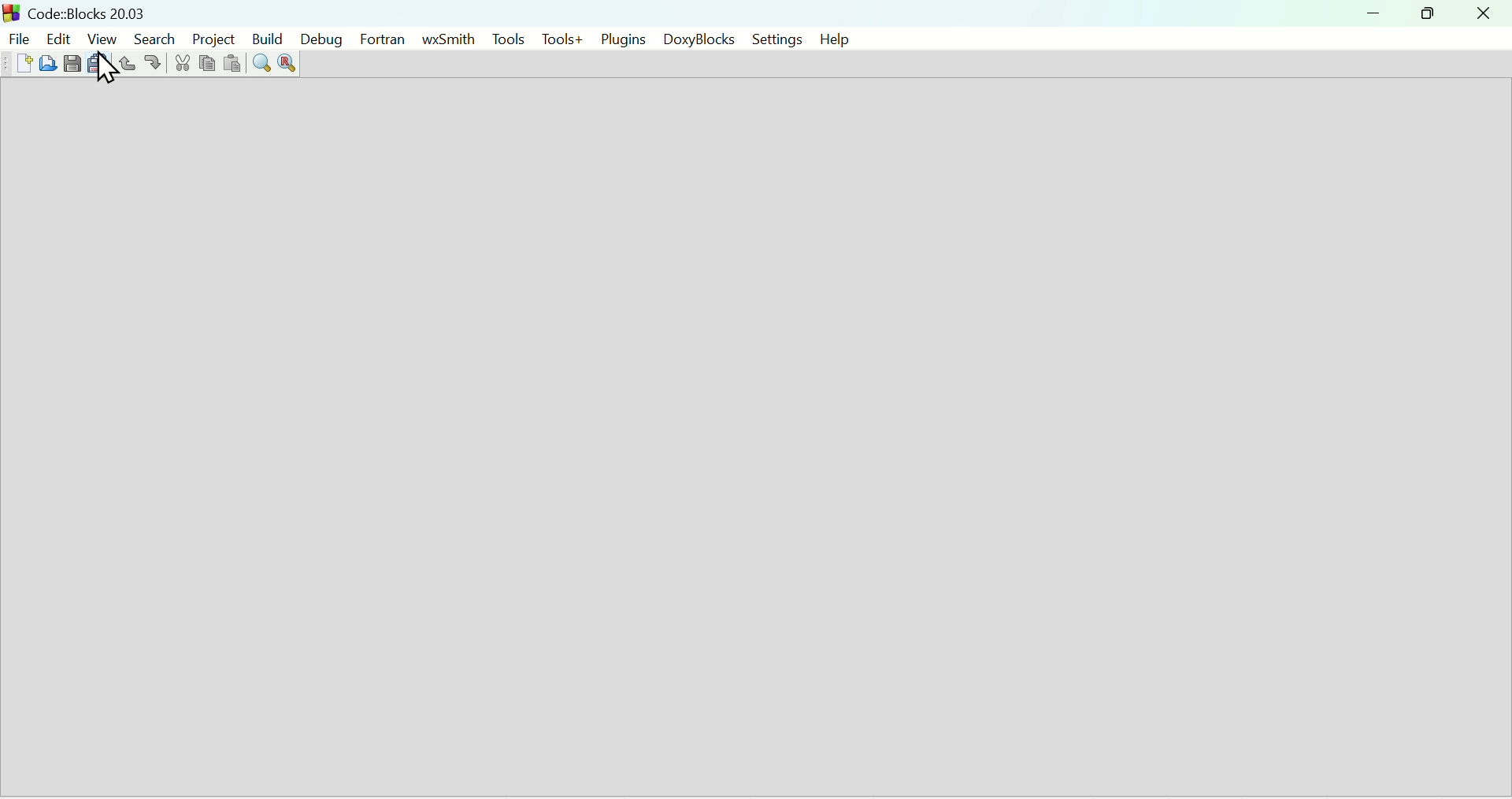  What do you see at coordinates (1483, 13) in the screenshot?
I see `Close` at bounding box center [1483, 13].